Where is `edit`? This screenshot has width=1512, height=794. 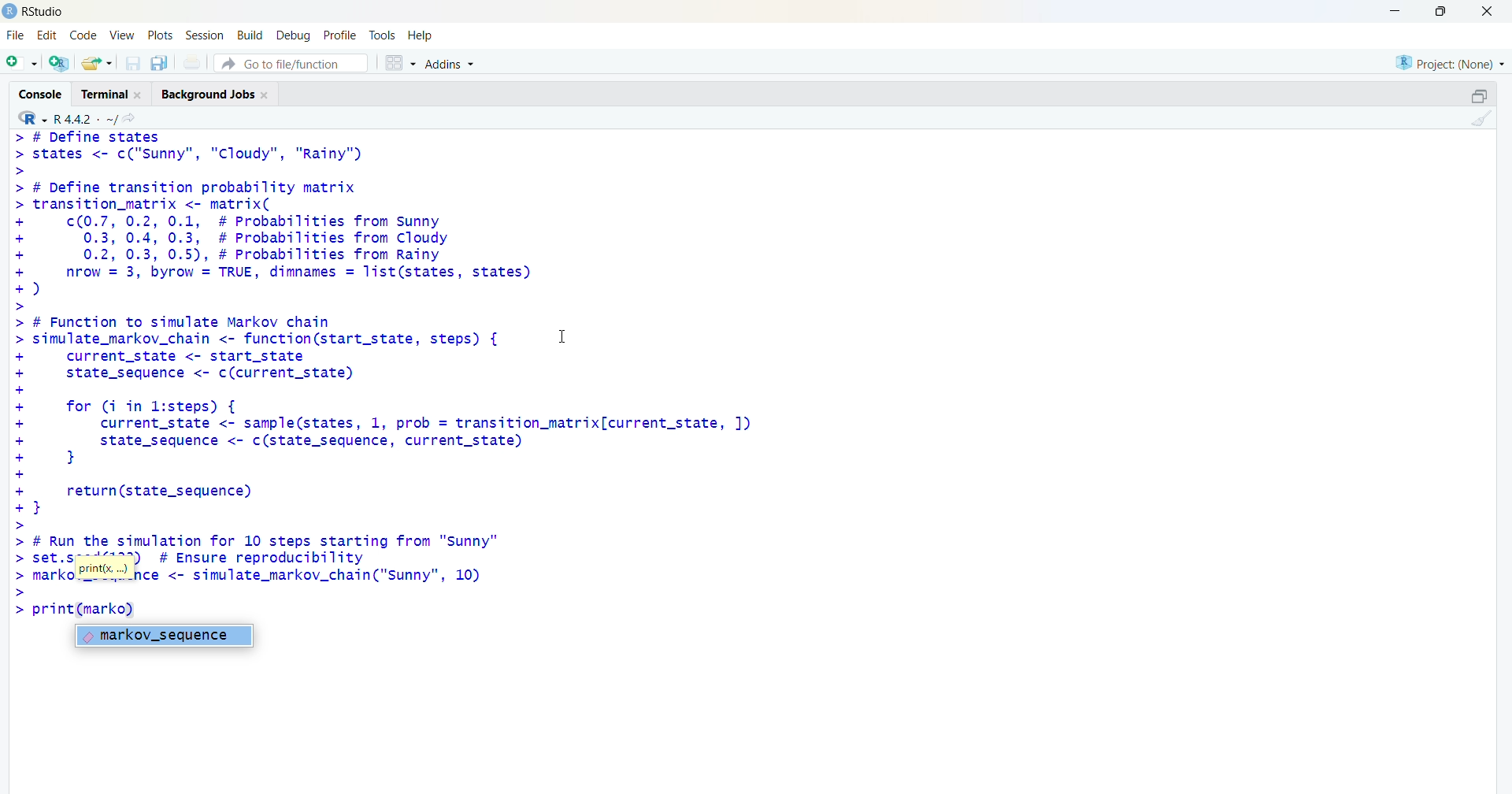
edit is located at coordinates (48, 33).